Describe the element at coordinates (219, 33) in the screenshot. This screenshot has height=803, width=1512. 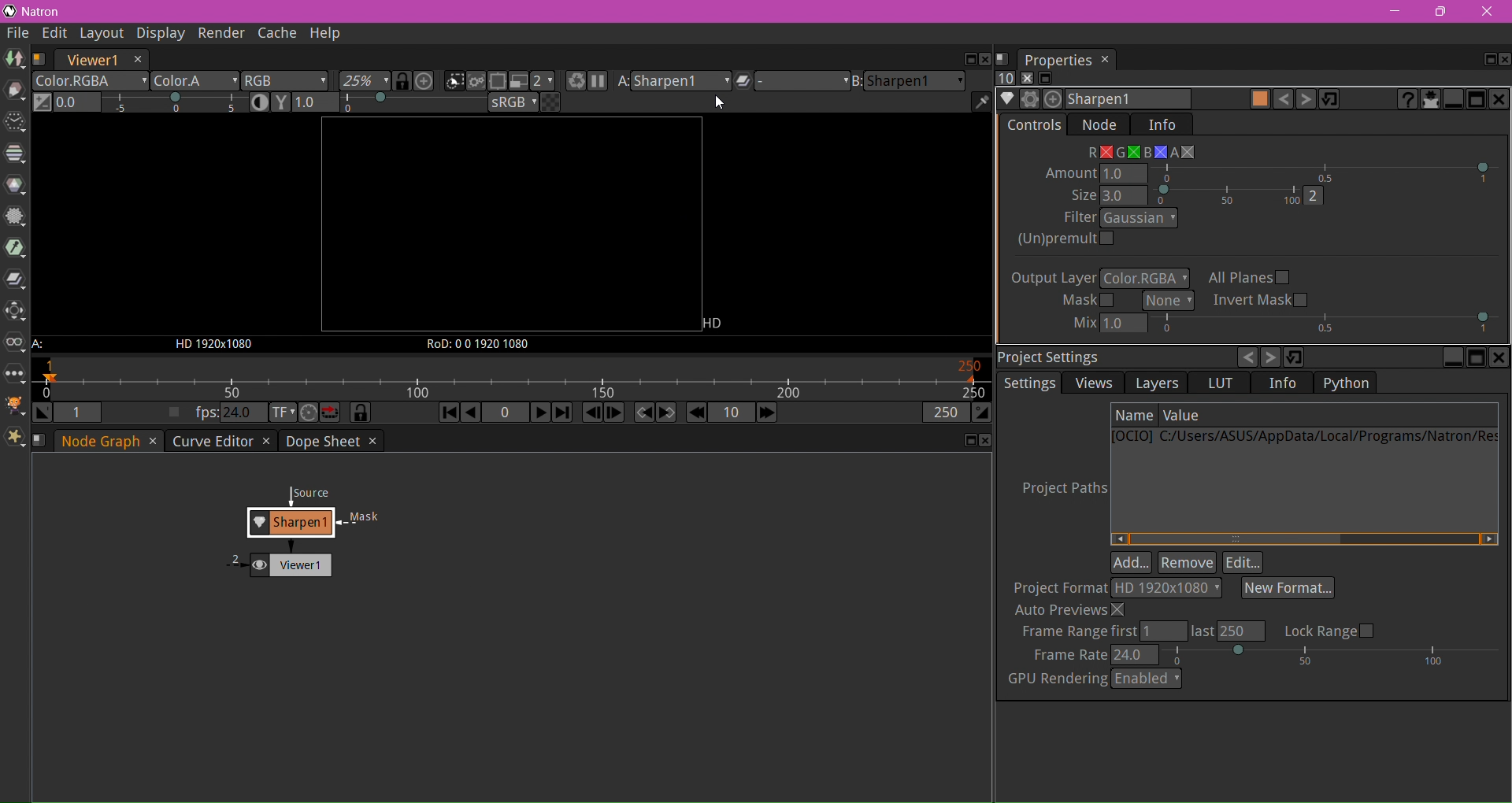
I see `Render` at that location.